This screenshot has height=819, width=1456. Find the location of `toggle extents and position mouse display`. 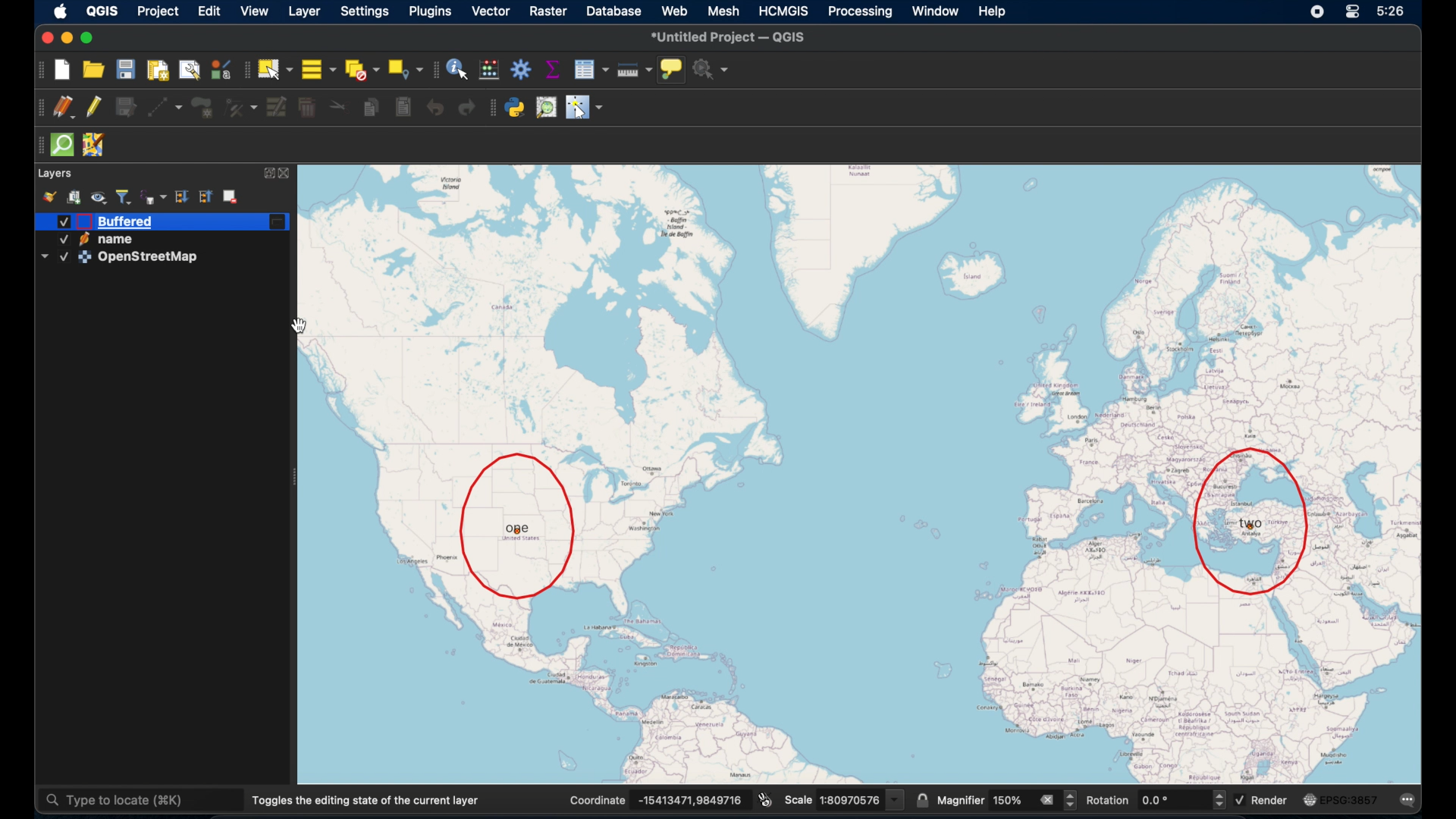

toggle extents and position mouse display is located at coordinates (765, 799).